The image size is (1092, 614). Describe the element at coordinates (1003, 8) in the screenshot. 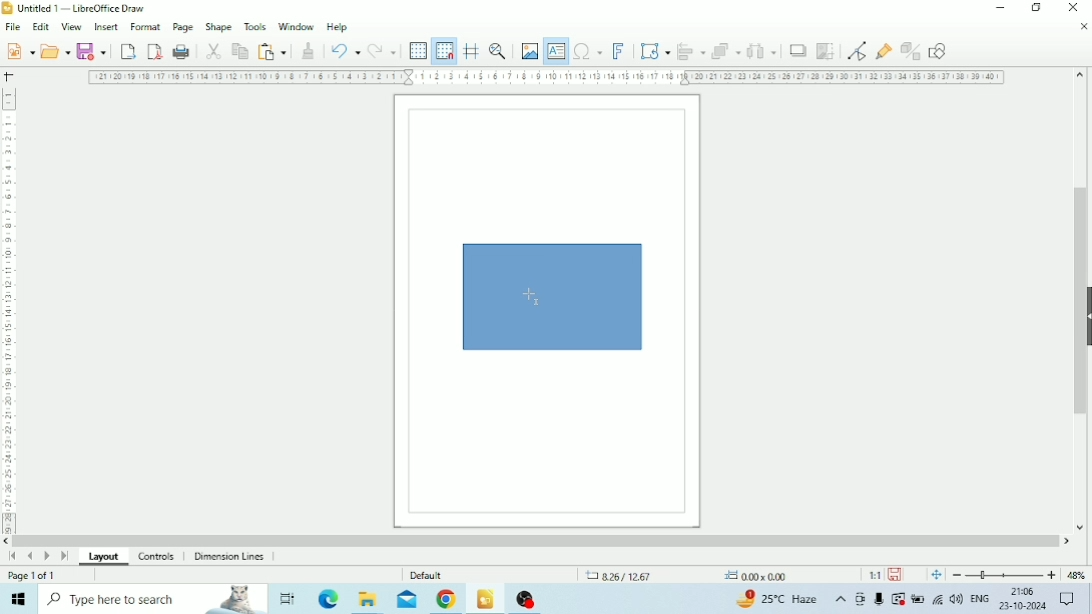

I see `Minimize` at that location.